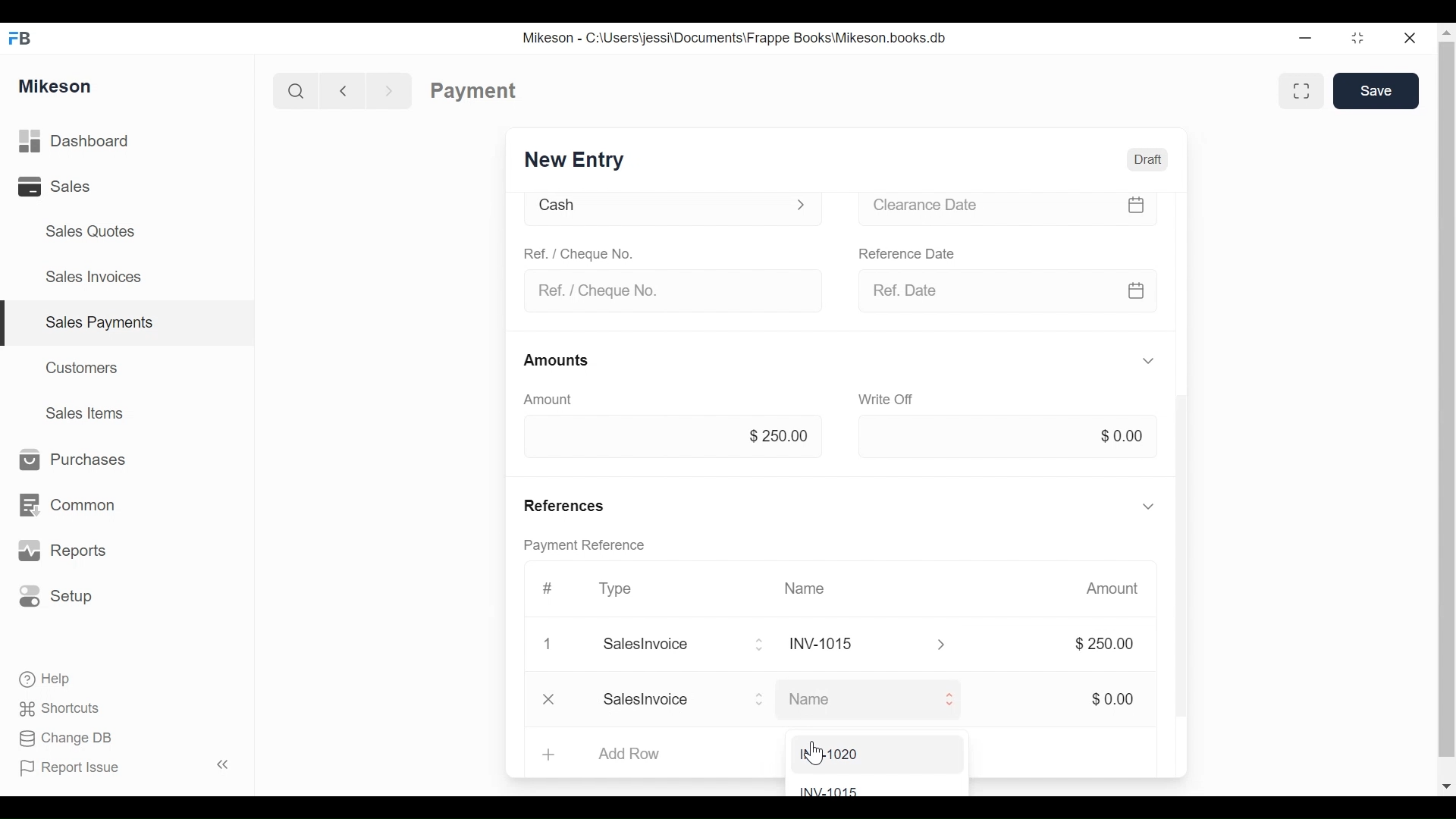 This screenshot has height=819, width=1456. What do you see at coordinates (75, 497) in the screenshot?
I see `Common` at bounding box center [75, 497].